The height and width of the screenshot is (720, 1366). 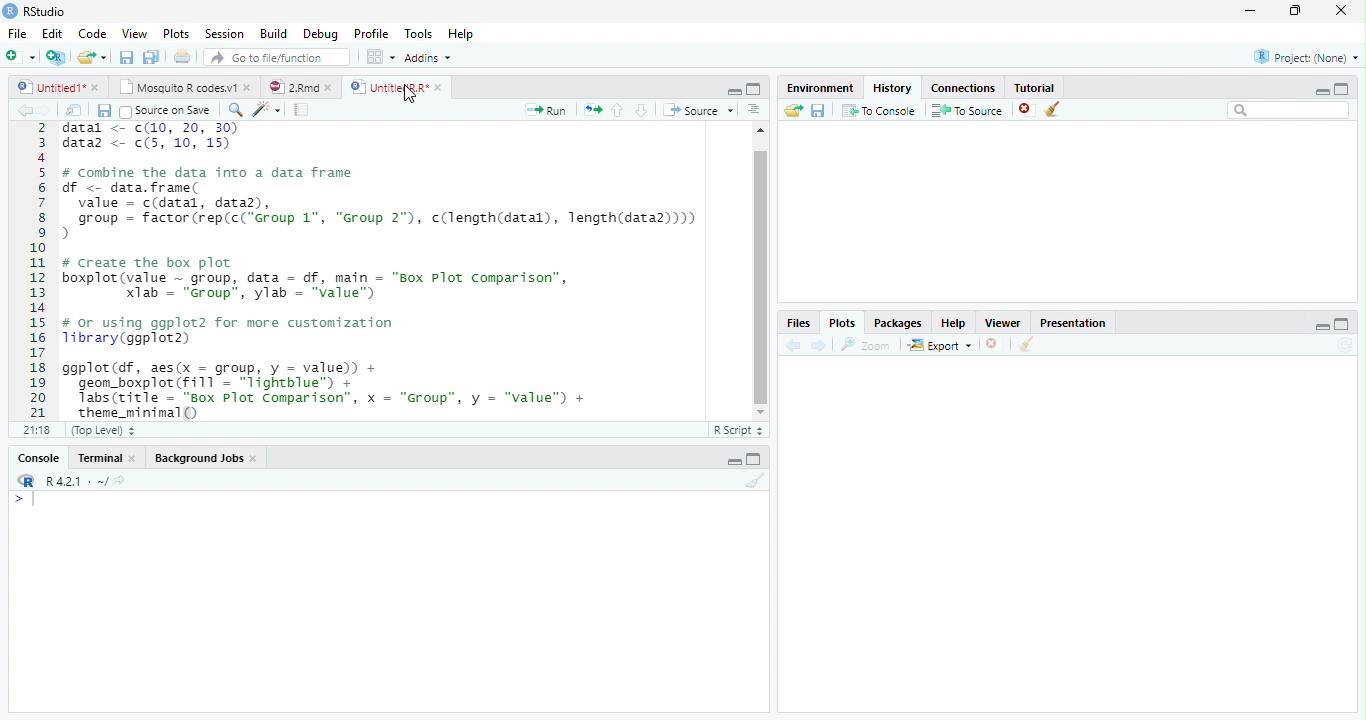 I want to click on Re-run the previous code region, so click(x=592, y=110).